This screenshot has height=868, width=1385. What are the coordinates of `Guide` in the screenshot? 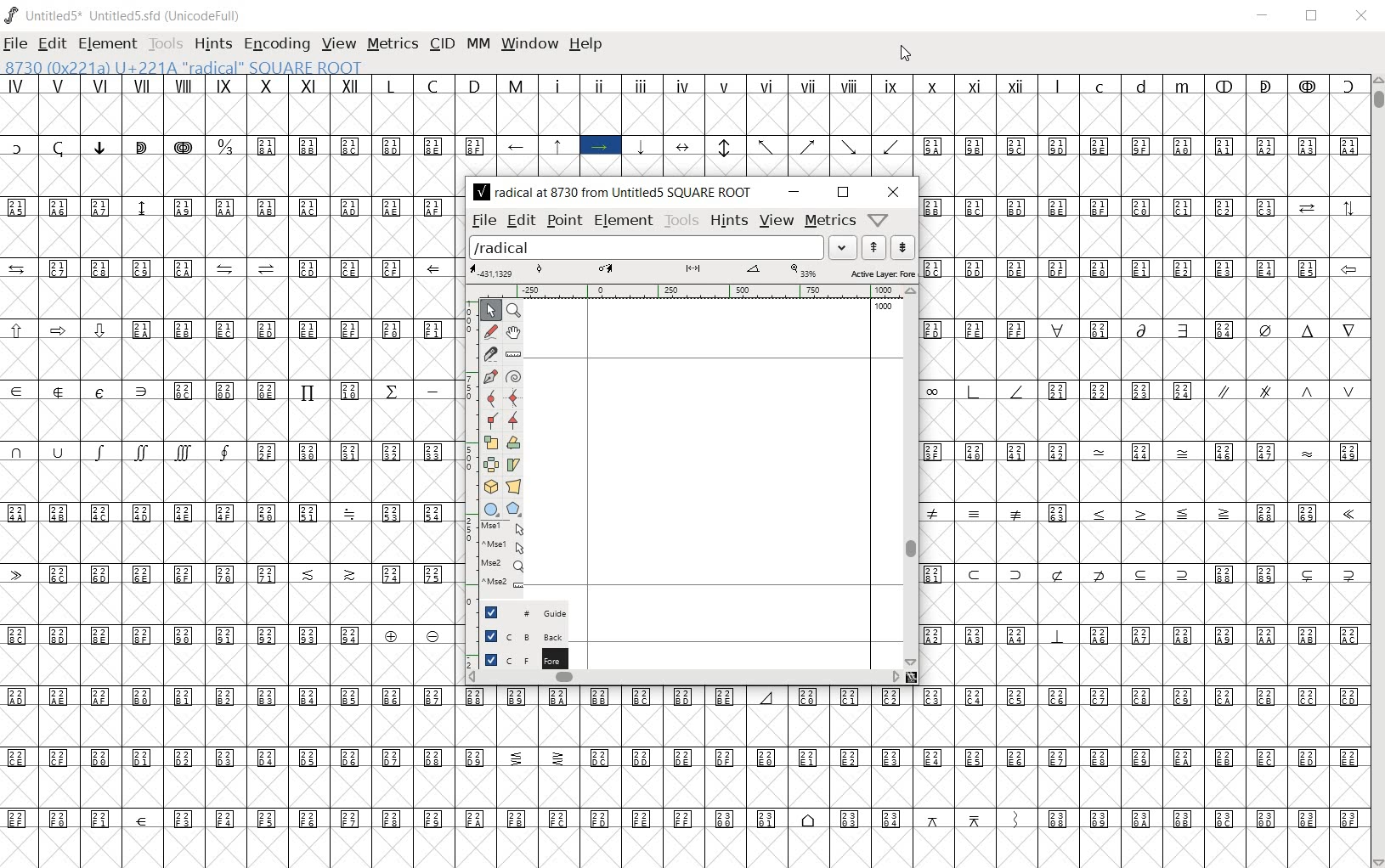 It's located at (517, 612).